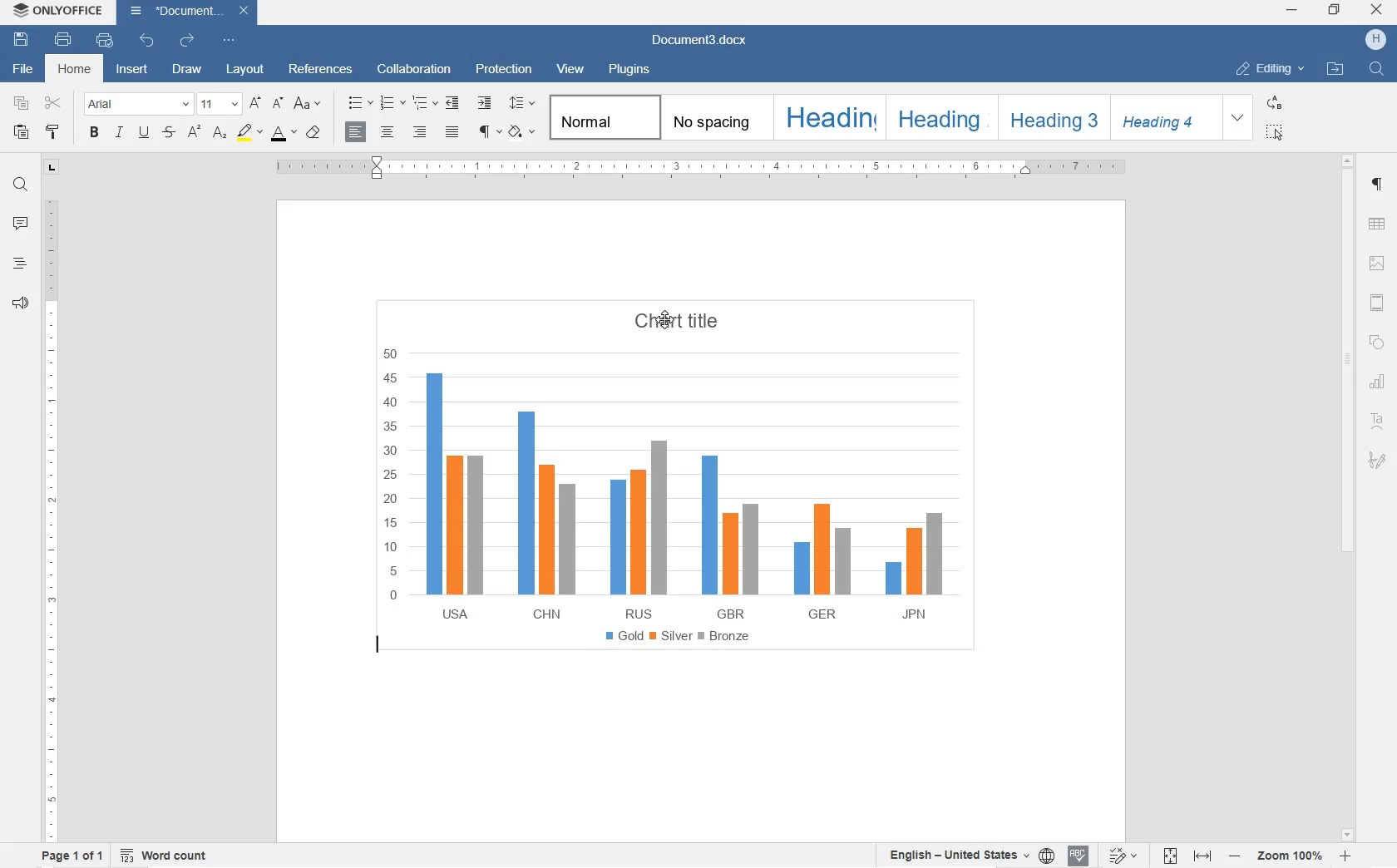 This screenshot has width=1397, height=868. Describe the element at coordinates (1376, 419) in the screenshot. I see `TEXT ART` at that location.